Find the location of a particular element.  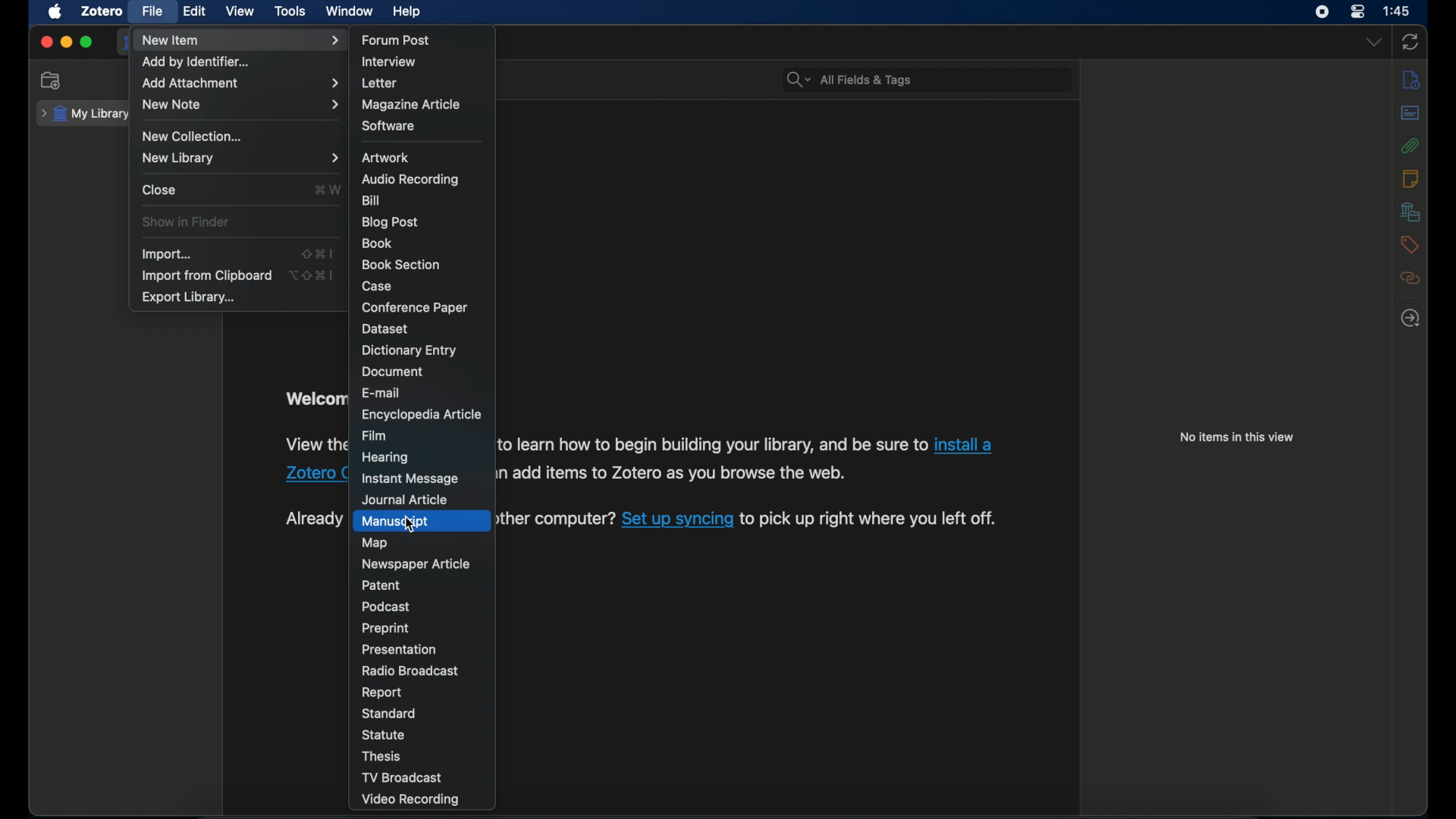

show in finder is located at coordinates (187, 222).